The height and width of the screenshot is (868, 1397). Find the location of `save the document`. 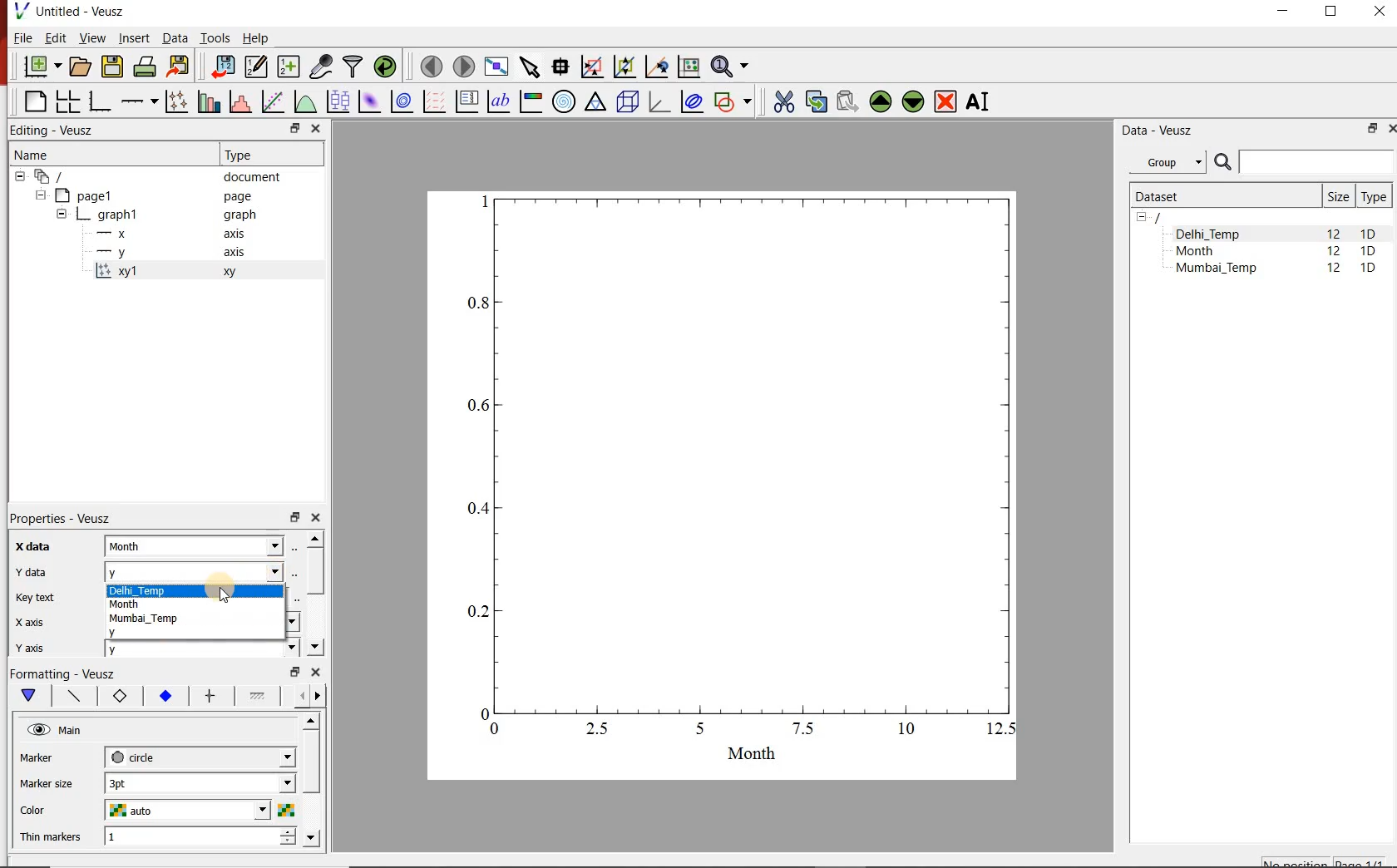

save the document is located at coordinates (111, 67).